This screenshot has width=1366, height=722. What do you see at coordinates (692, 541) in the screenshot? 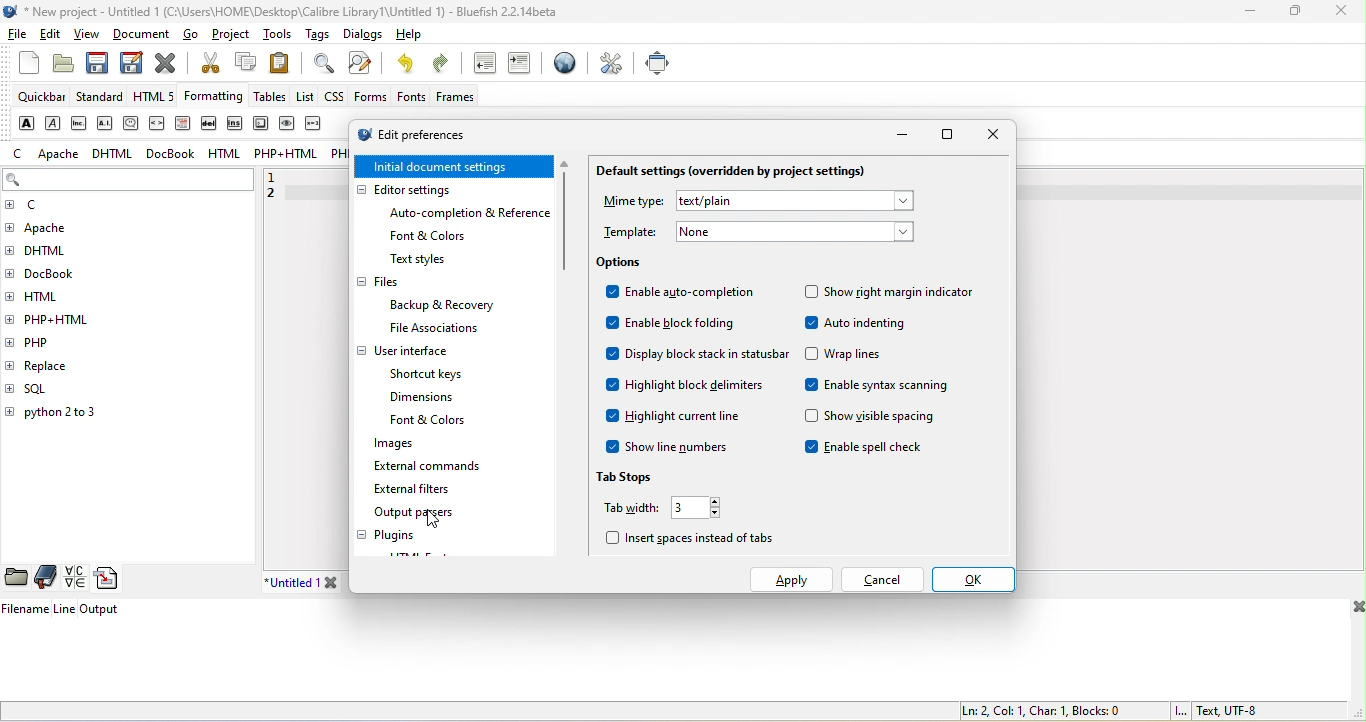
I see `insert space instead of tabs` at bounding box center [692, 541].